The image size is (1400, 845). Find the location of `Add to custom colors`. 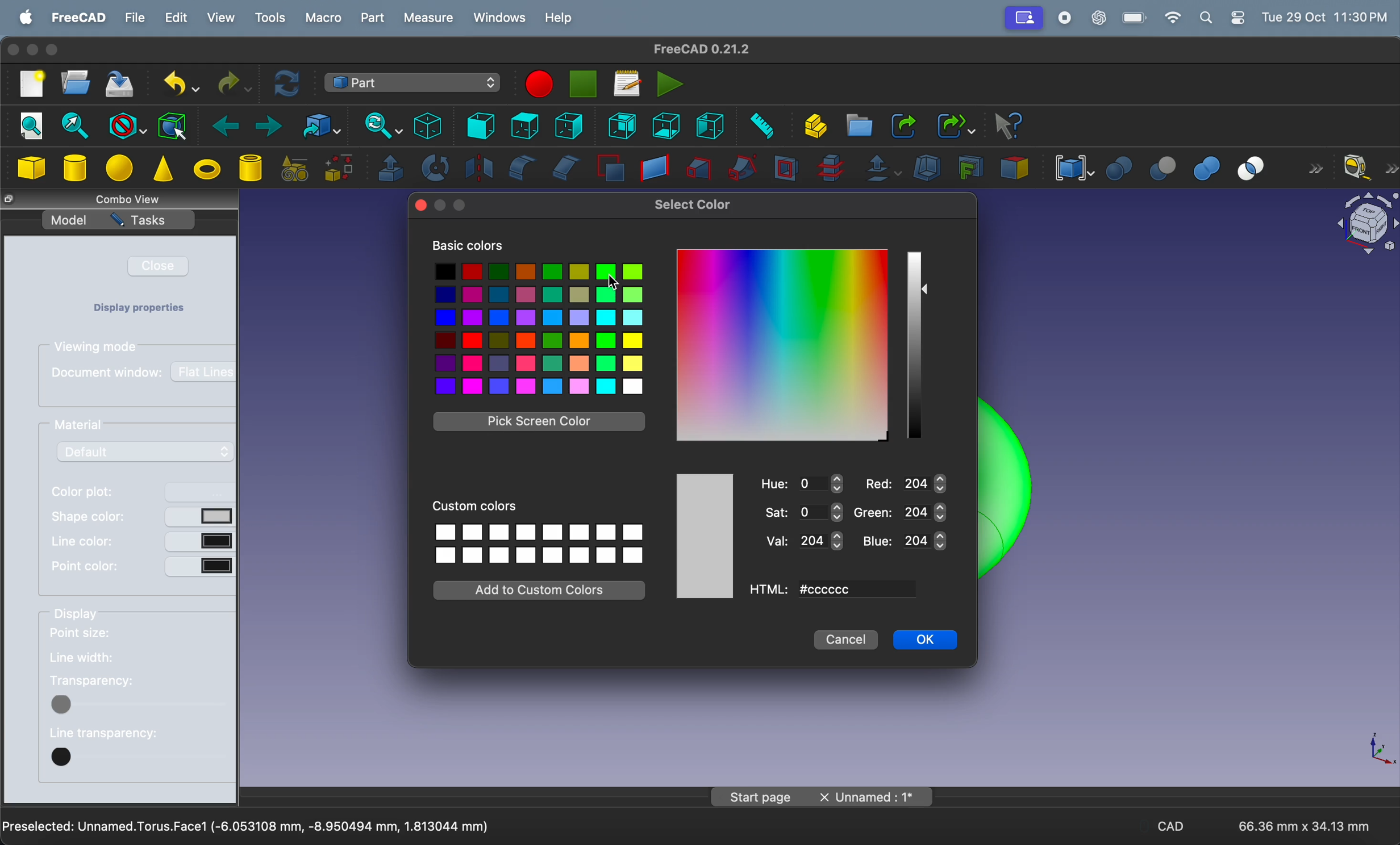

Add to custom colors is located at coordinates (537, 592).